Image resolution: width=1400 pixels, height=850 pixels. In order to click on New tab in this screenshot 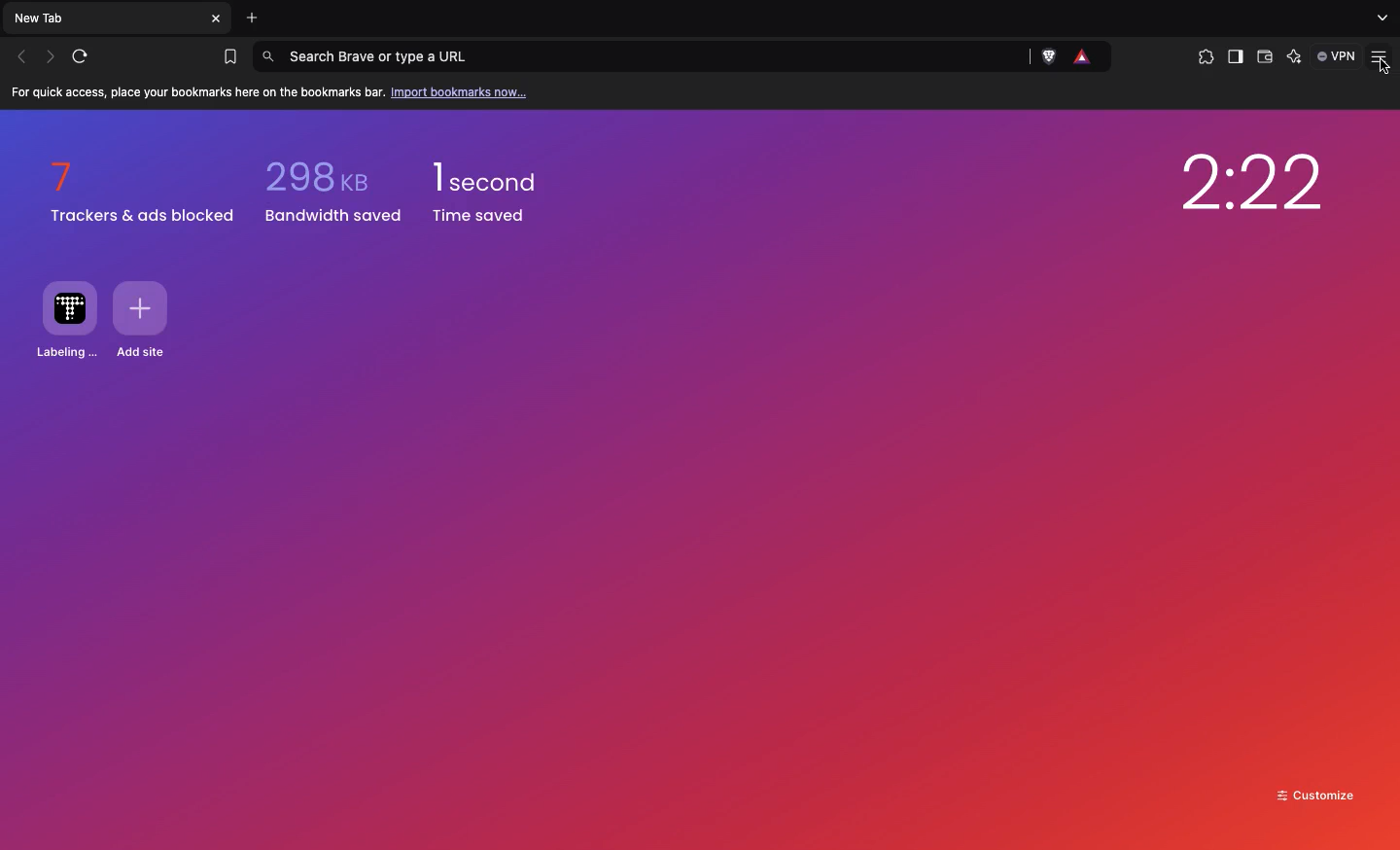, I will do `click(104, 19)`.